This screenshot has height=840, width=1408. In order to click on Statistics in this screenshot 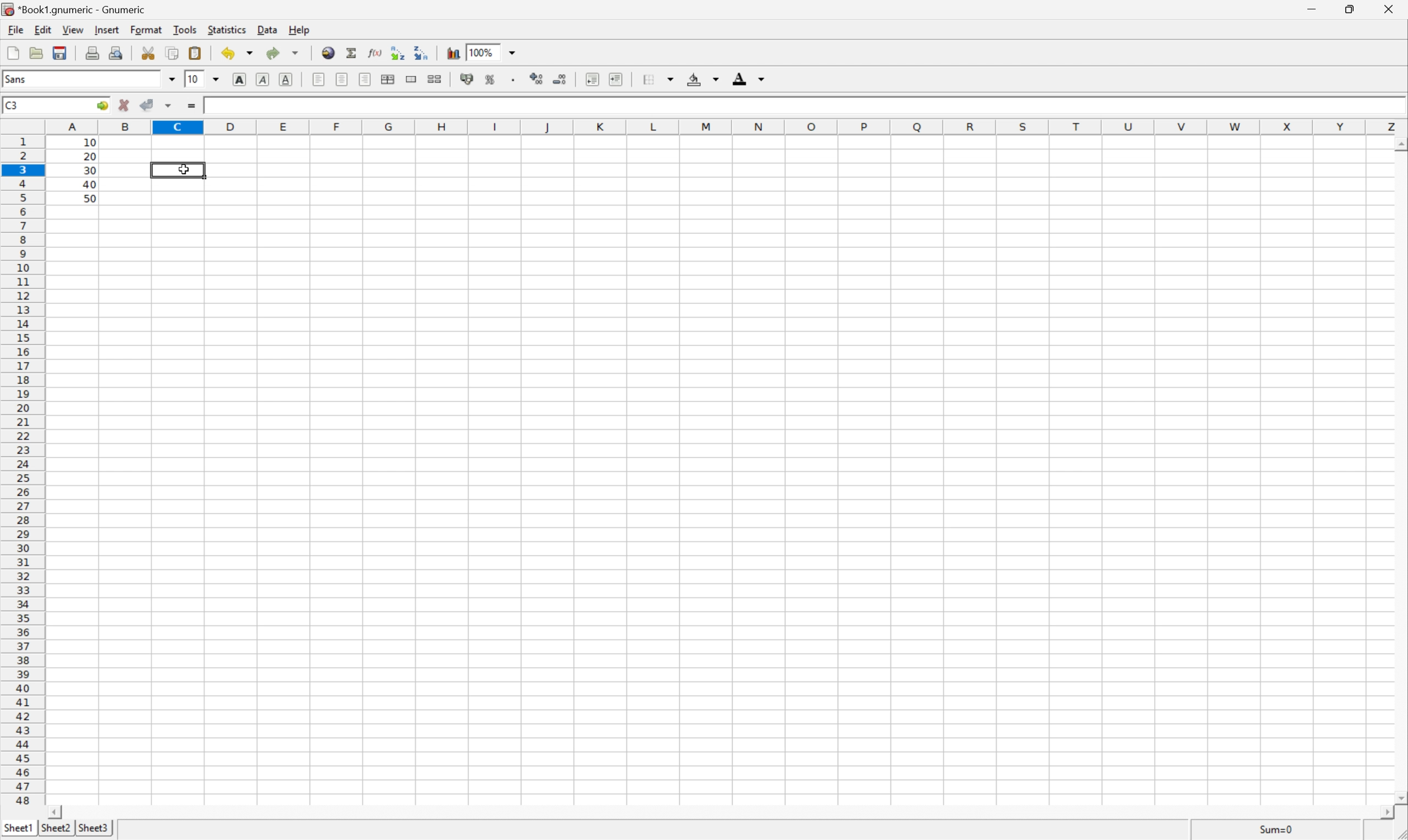, I will do `click(227, 29)`.